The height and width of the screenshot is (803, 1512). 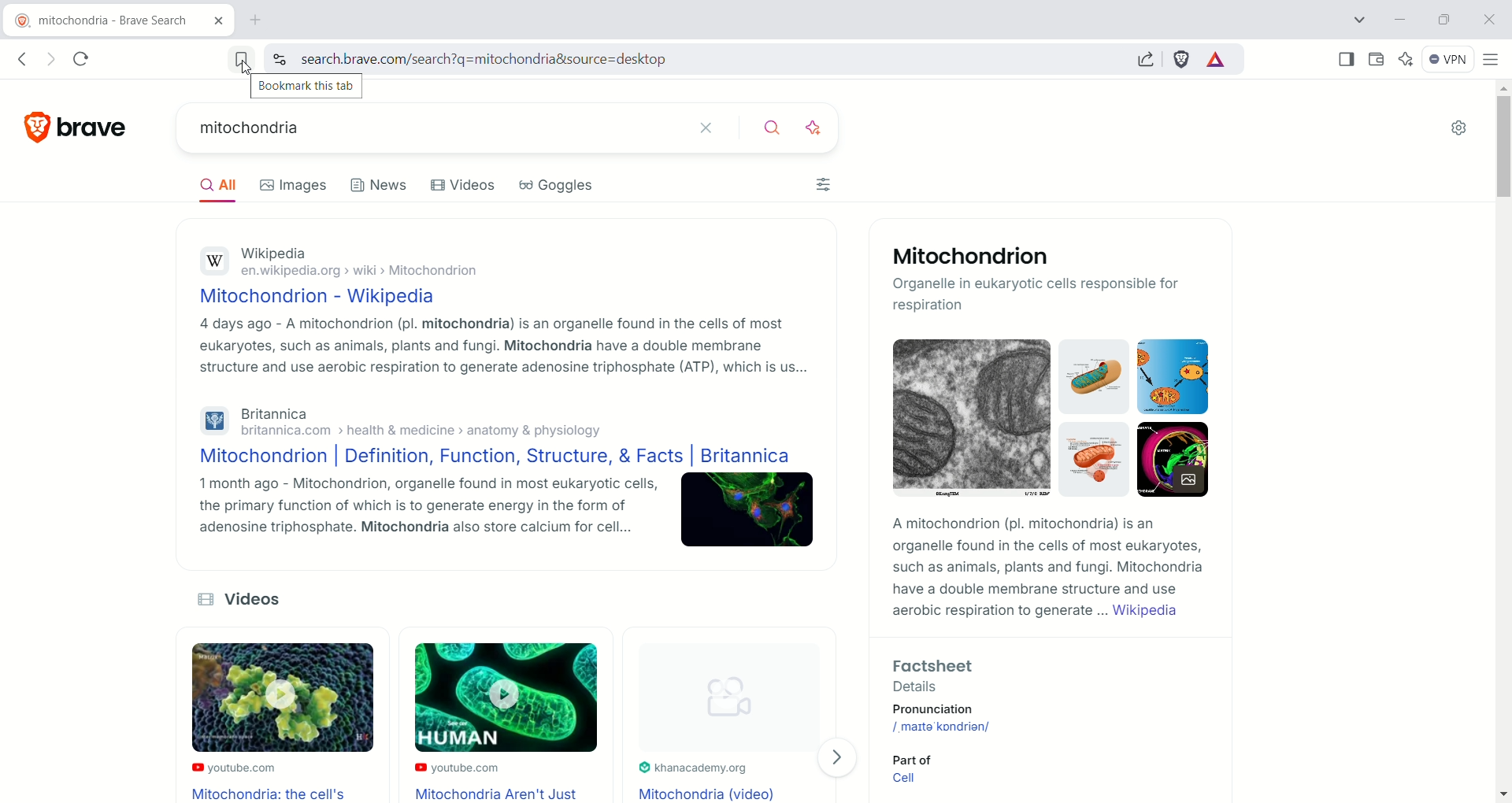 I want to click on logo, so click(x=29, y=128).